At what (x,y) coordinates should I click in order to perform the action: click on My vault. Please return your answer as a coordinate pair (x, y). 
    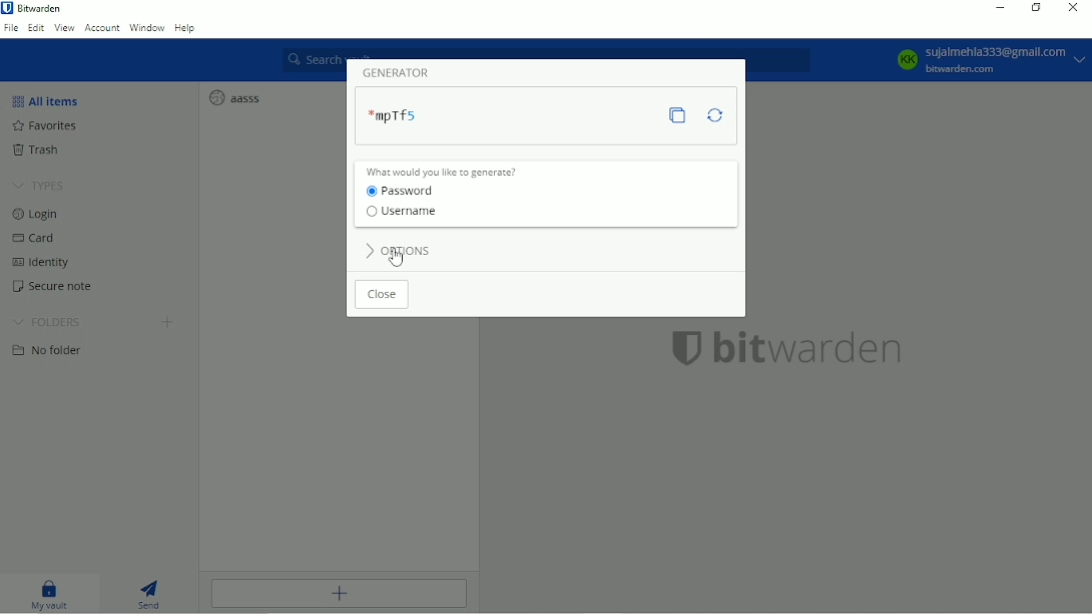
    Looking at the image, I should click on (50, 592).